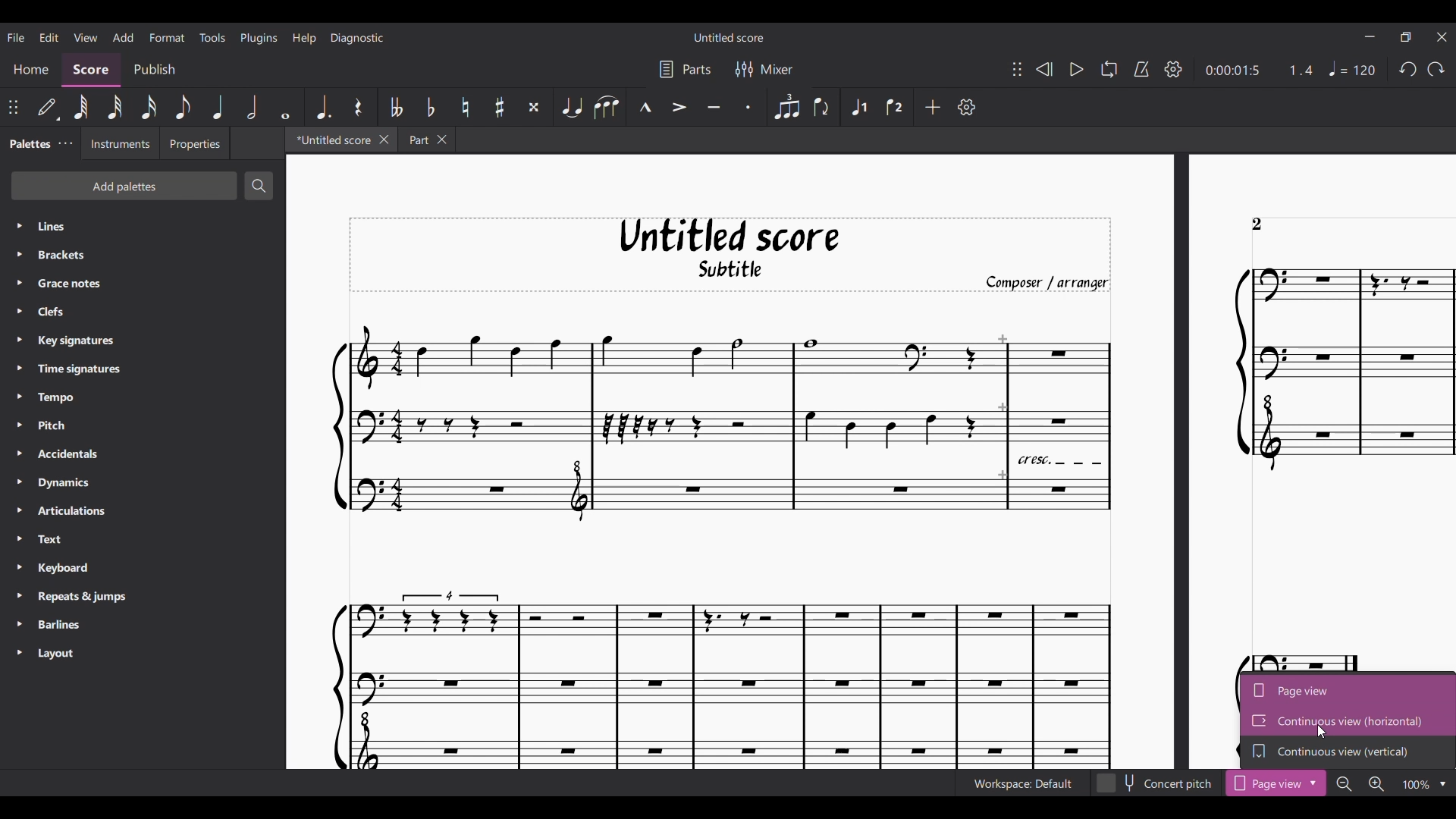 Image resolution: width=1456 pixels, height=819 pixels. What do you see at coordinates (1077, 69) in the screenshot?
I see `Play` at bounding box center [1077, 69].